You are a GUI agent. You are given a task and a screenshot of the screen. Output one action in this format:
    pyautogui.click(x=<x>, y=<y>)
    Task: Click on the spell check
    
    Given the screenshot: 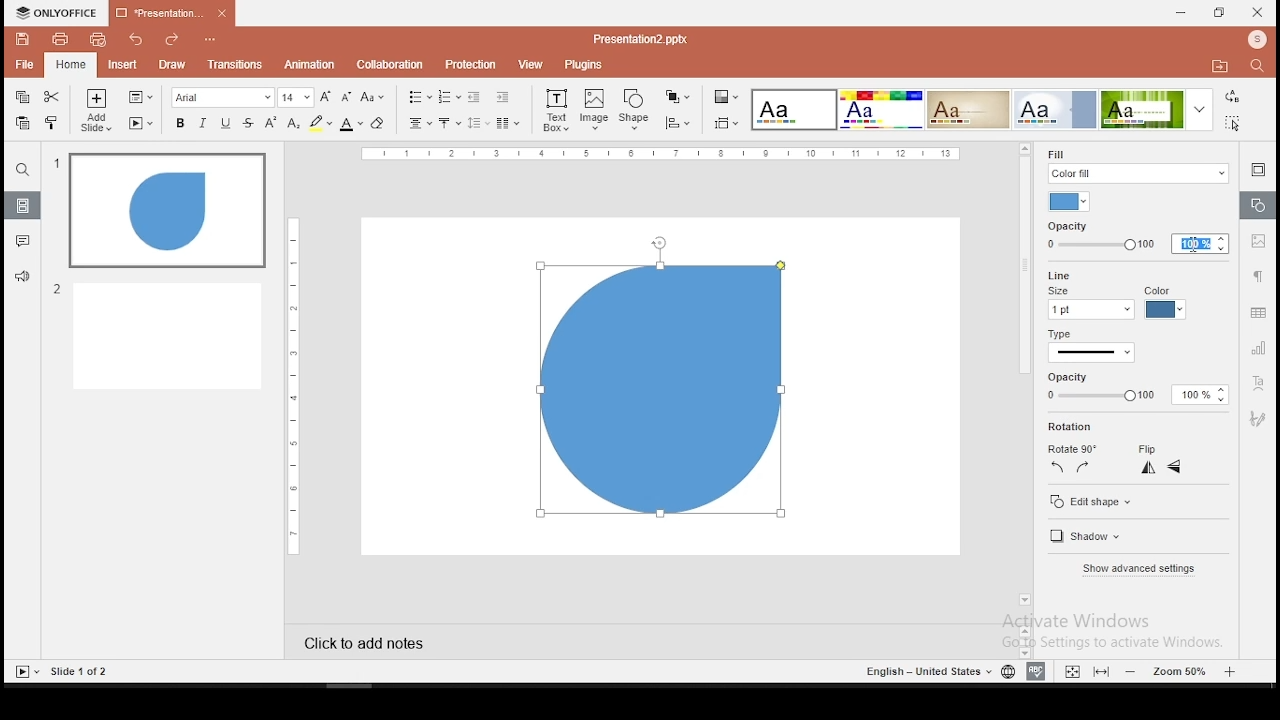 What is the action you would take?
    pyautogui.click(x=1036, y=672)
    